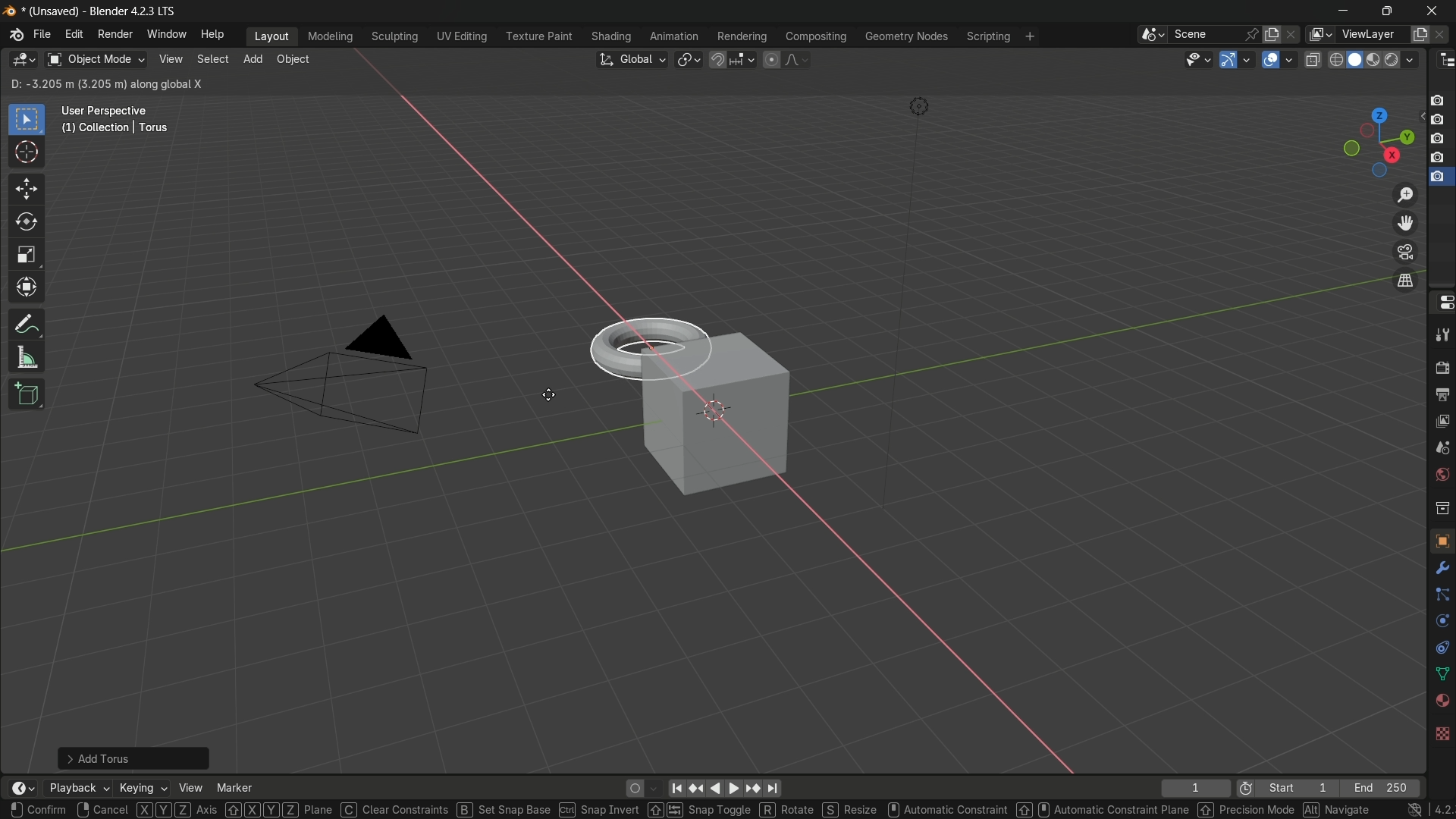 This screenshot has width=1456, height=819. What do you see at coordinates (1441, 622) in the screenshot?
I see `physics` at bounding box center [1441, 622].